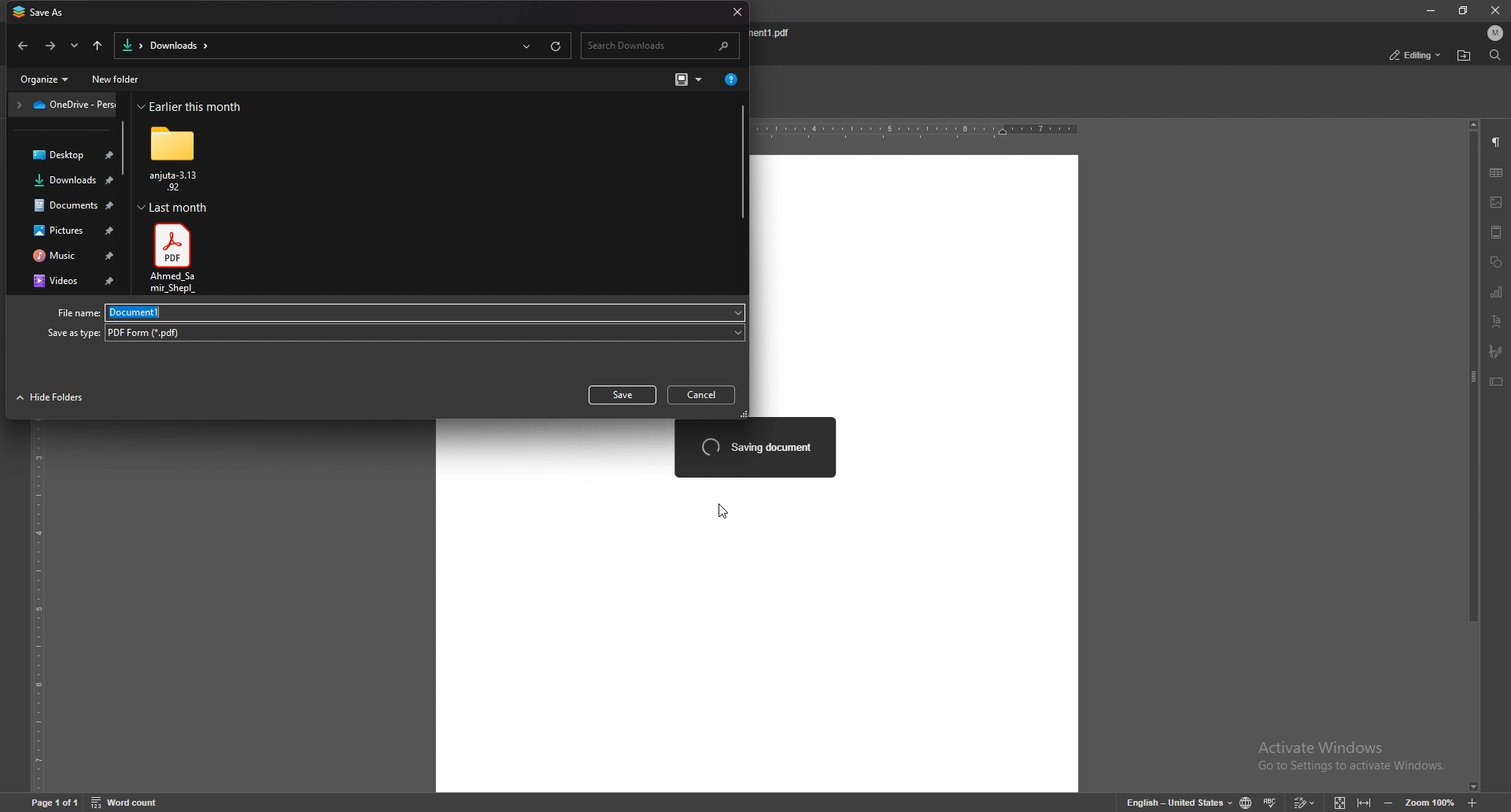 This screenshot has height=812, width=1511. I want to click on cursor, so click(723, 510).